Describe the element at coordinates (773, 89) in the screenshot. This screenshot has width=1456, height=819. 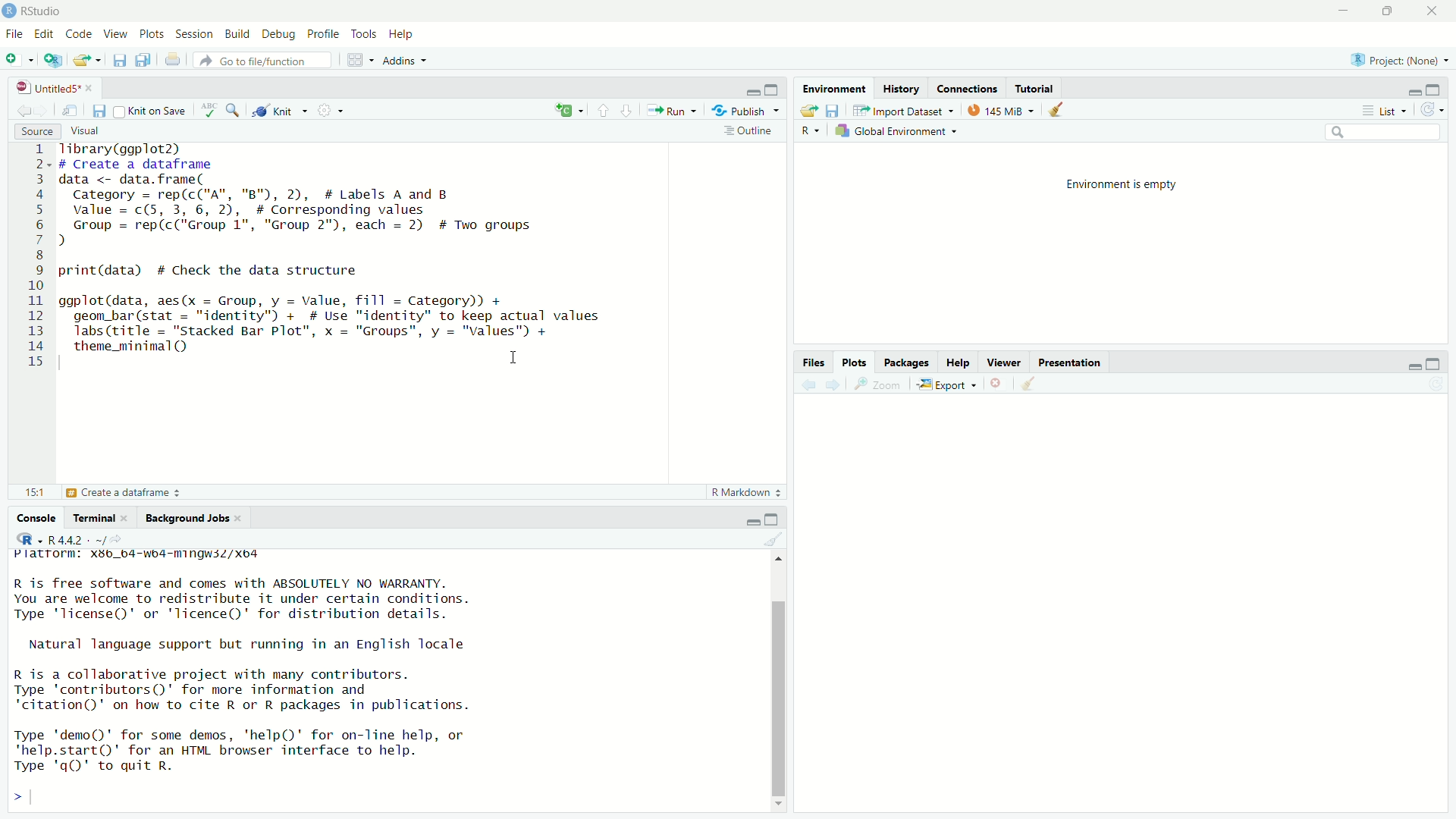
I see `Maximize` at that location.